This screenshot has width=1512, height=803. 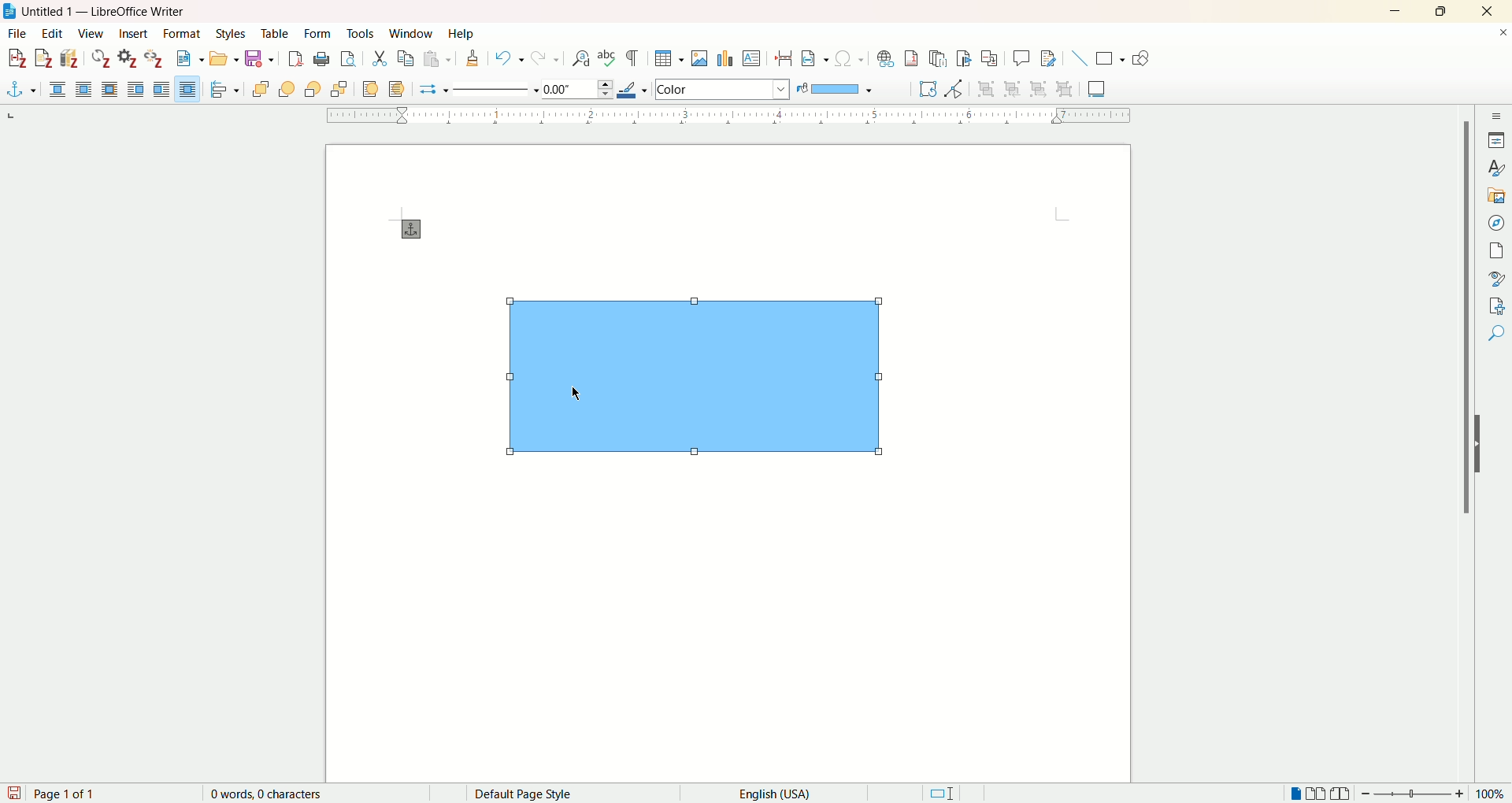 What do you see at coordinates (1493, 192) in the screenshot?
I see `gallery` at bounding box center [1493, 192].